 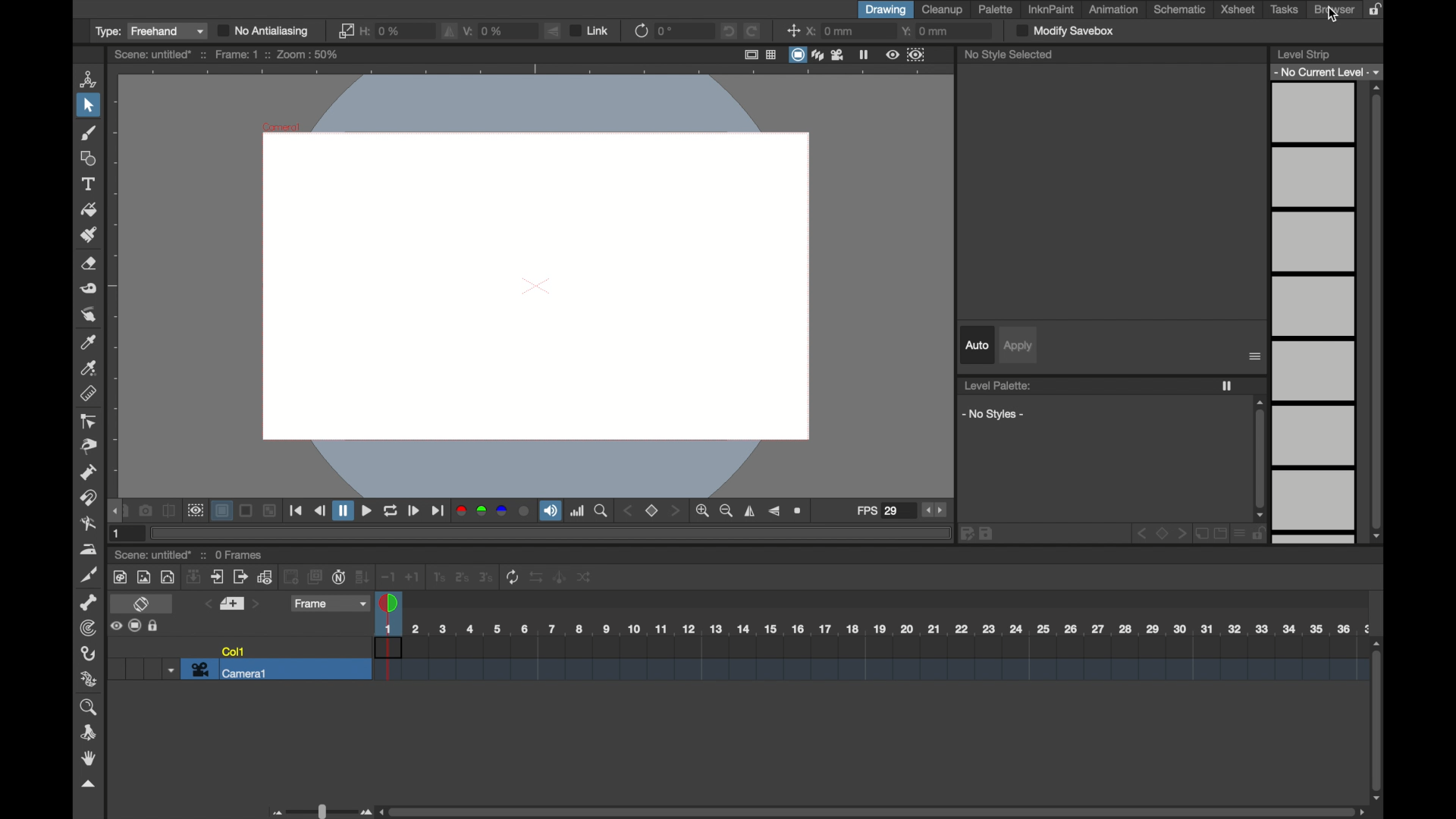 What do you see at coordinates (93, 733) in the screenshot?
I see `rotate tool` at bounding box center [93, 733].